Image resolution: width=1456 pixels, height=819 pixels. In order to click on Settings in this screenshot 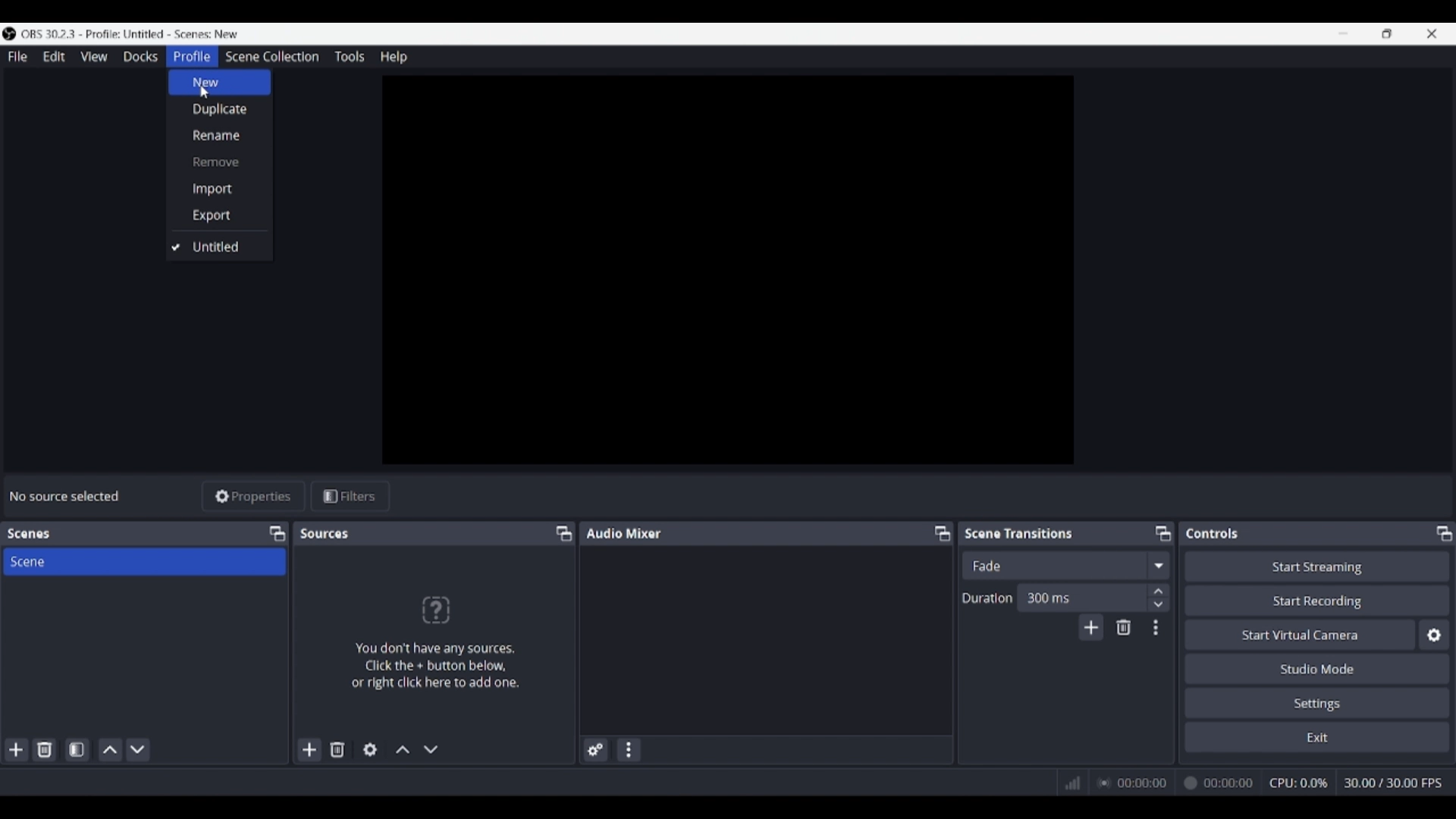, I will do `click(1318, 702)`.